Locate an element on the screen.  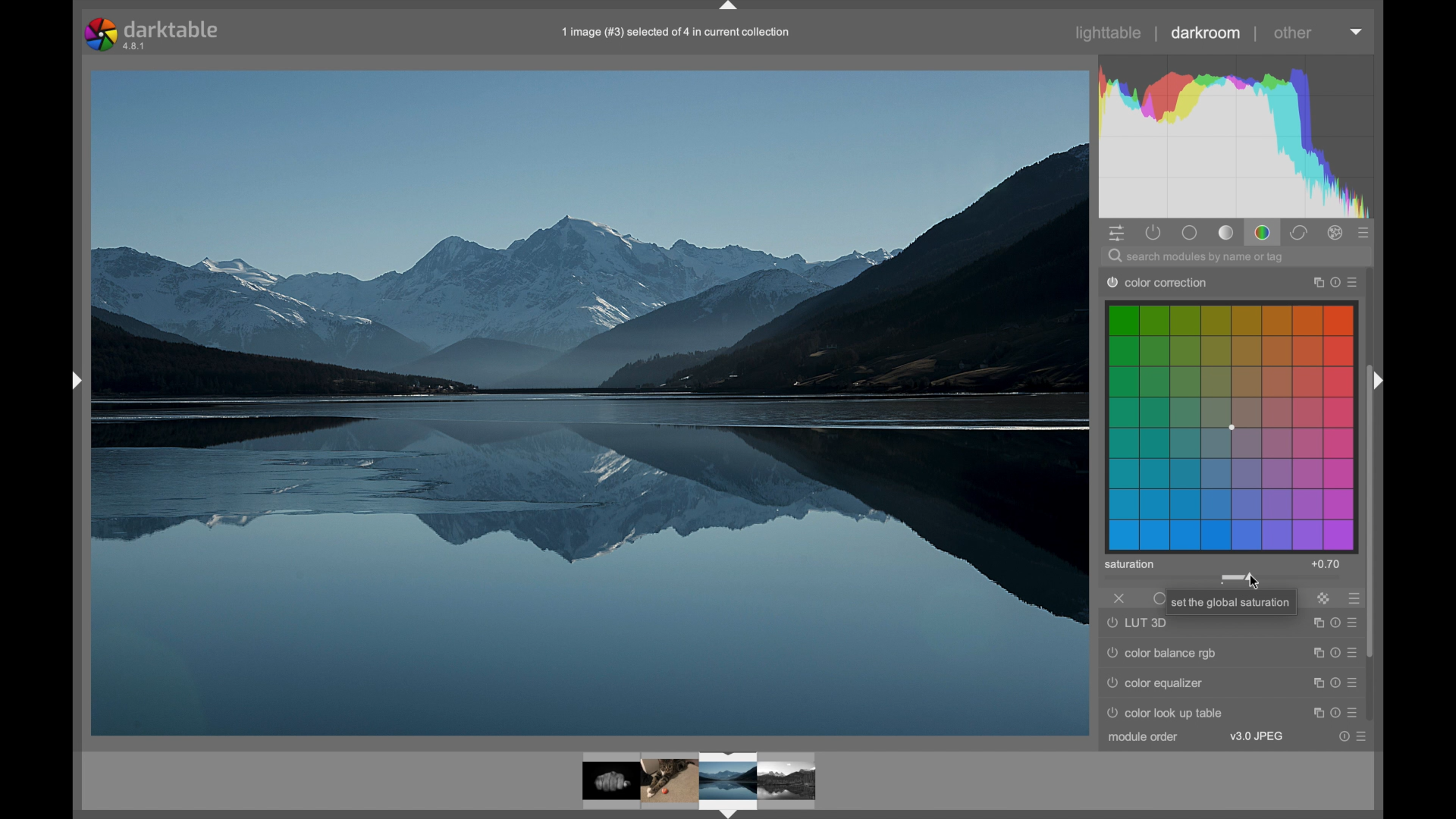
saturation is located at coordinates (1129, 565).